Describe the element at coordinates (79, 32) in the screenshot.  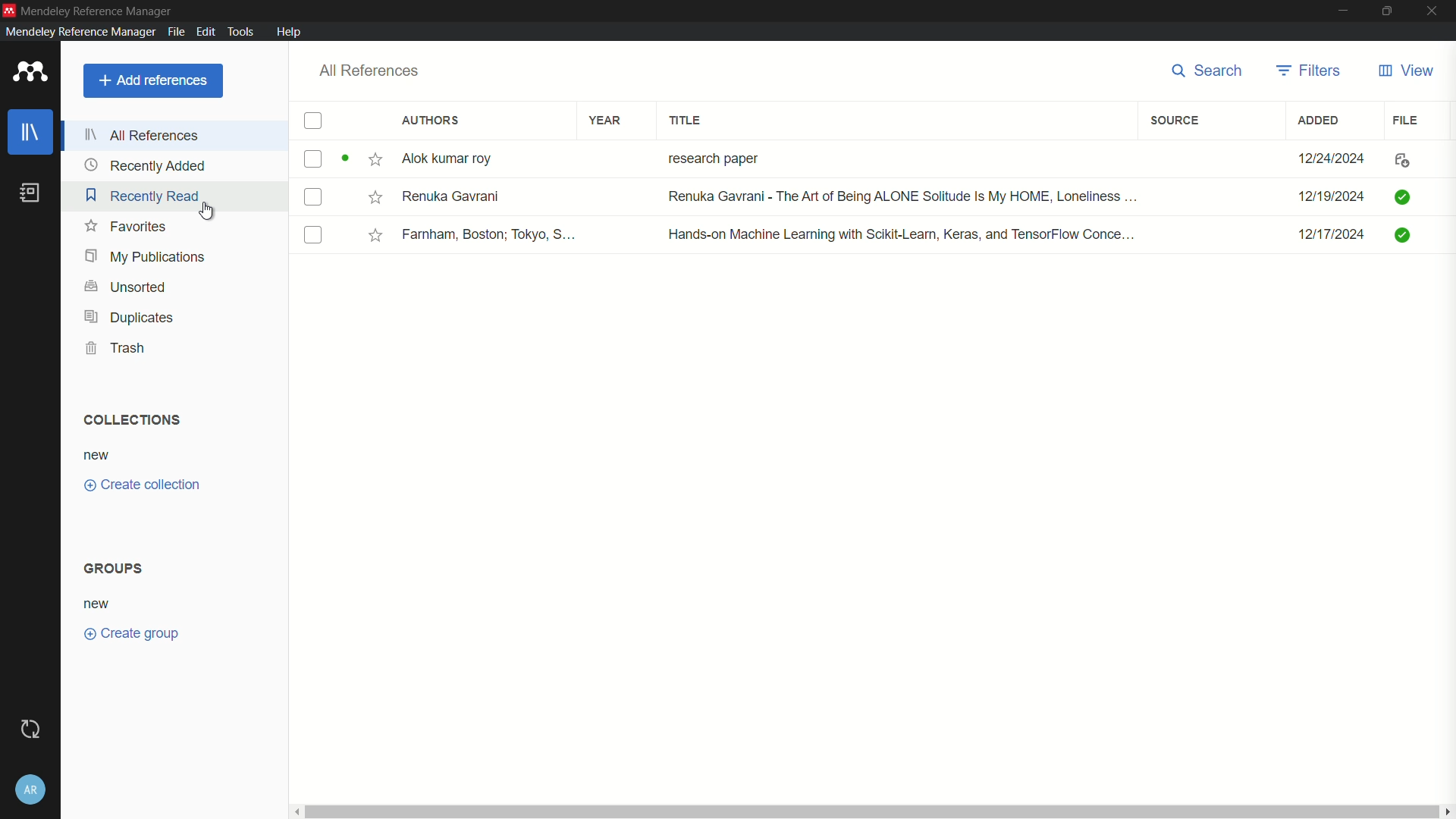
I see `mendeley reference manager` at that location.